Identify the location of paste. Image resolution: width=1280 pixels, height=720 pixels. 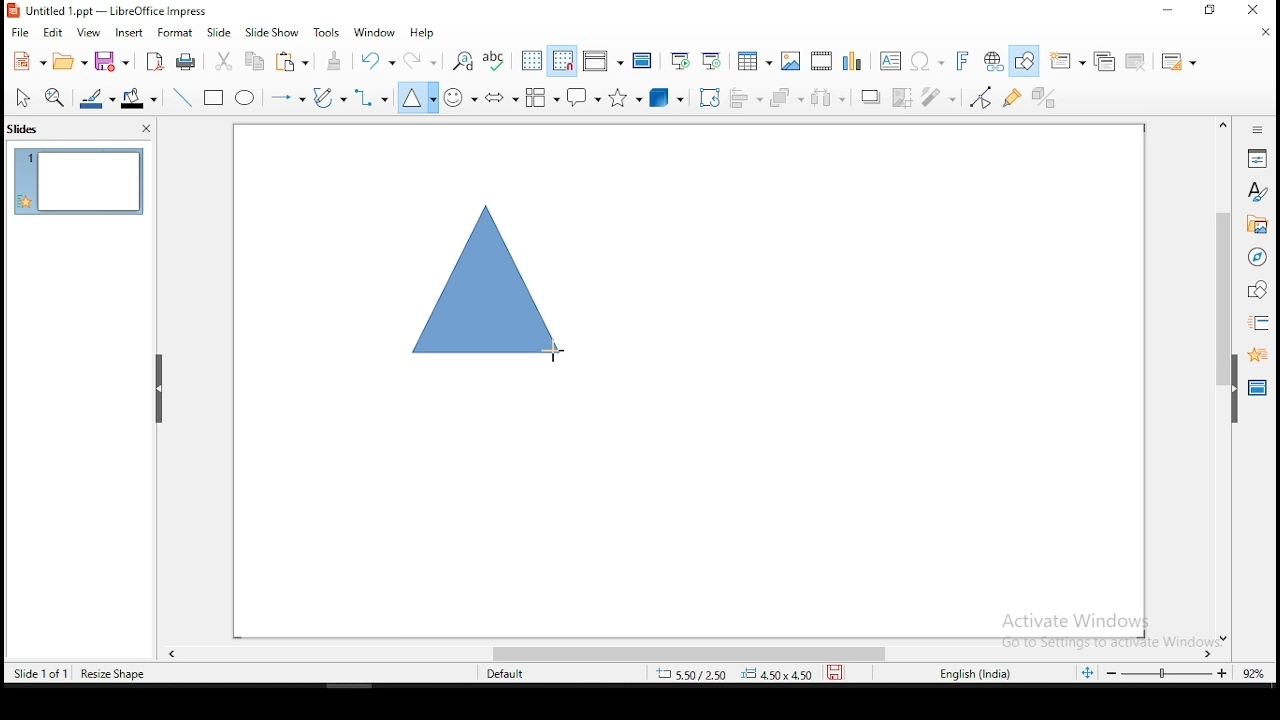
(295, 64).